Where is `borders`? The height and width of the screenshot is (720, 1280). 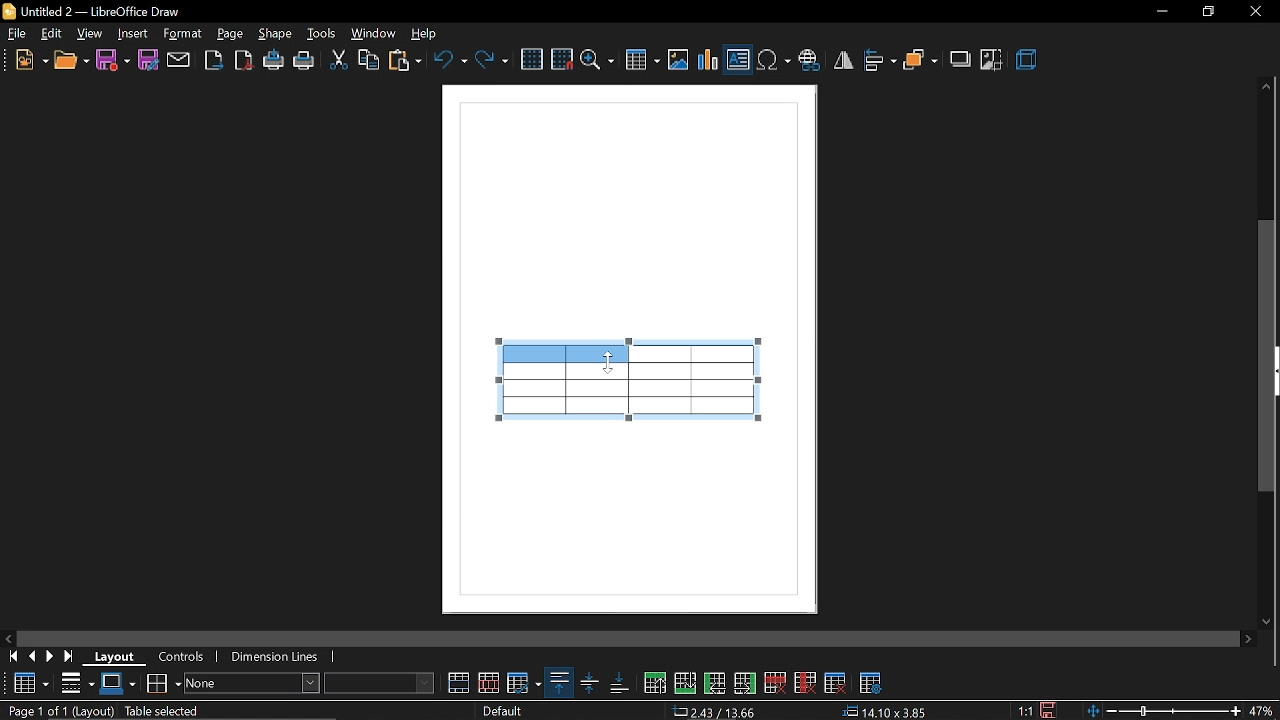 borders is located at coordinates (163, 682).